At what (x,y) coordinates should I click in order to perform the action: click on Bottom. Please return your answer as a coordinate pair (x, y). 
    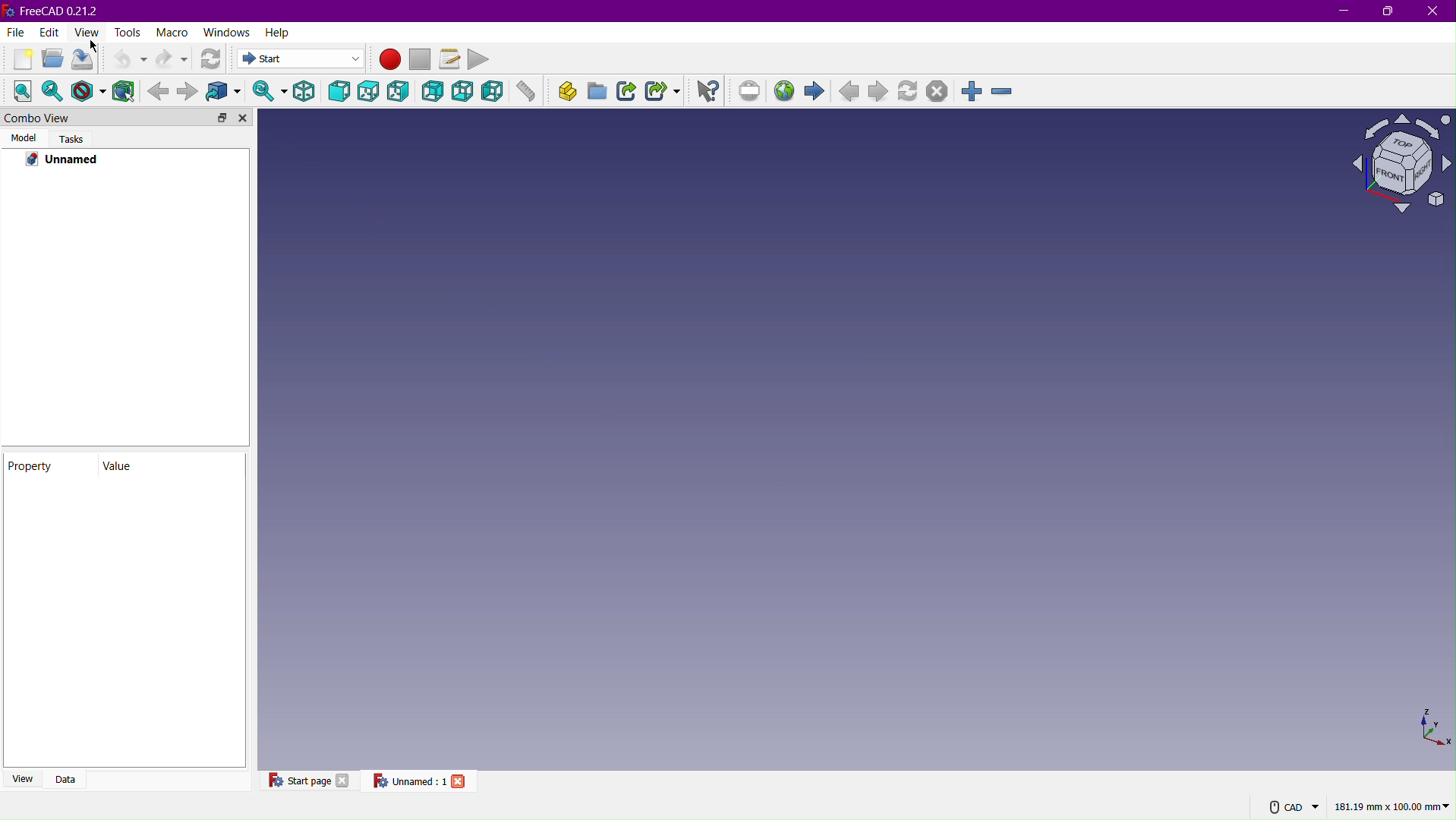
    Looking at the image, I should click on (464, 93).